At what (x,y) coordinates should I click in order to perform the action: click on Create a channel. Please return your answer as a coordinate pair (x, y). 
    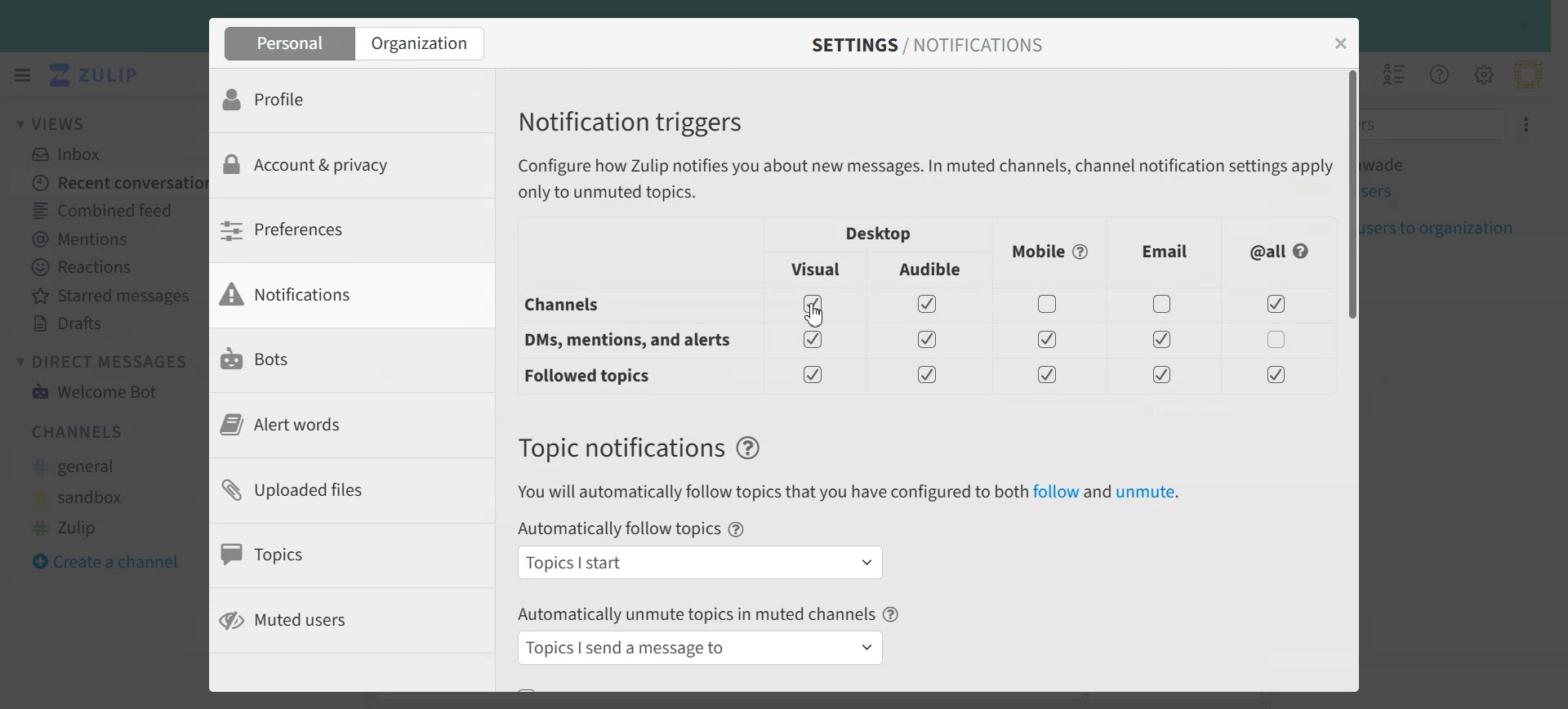
    Looking at the image, I should click on (115, 560).